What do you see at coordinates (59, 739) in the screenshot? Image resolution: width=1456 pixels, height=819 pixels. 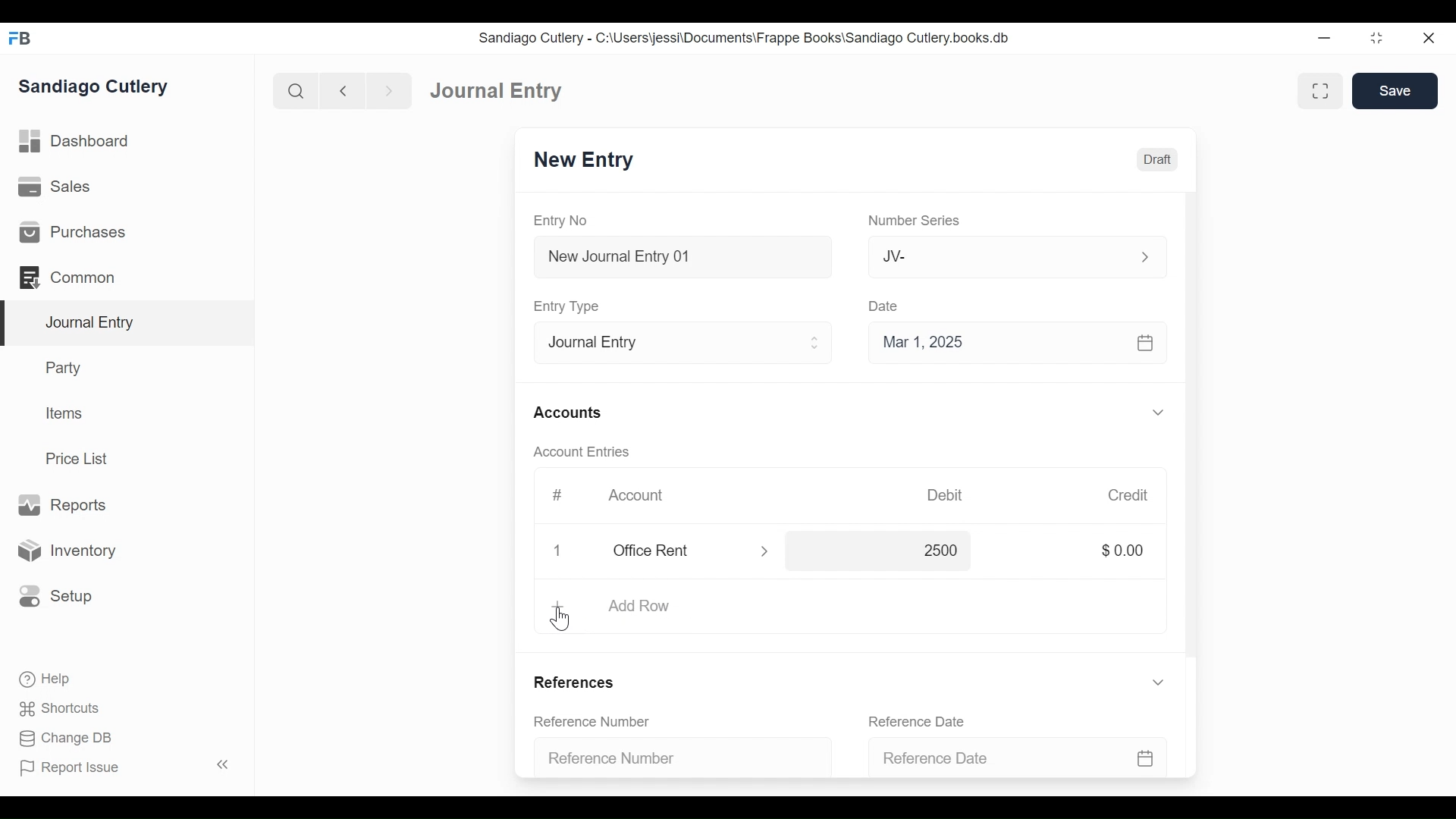 I see `Change DB` at bounding box center [59, 739].